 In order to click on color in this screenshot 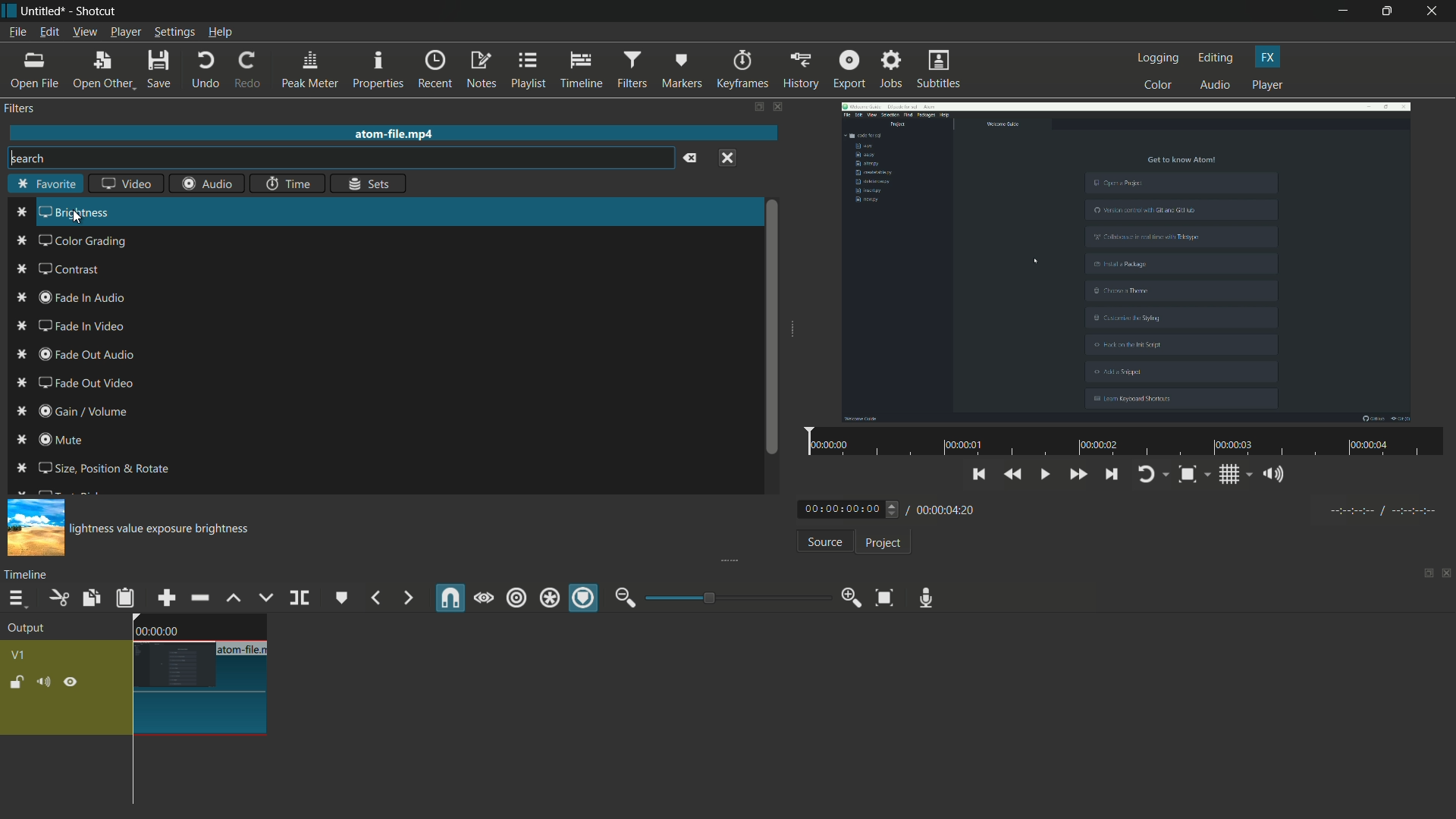, I will do `click(1159, 84)`.